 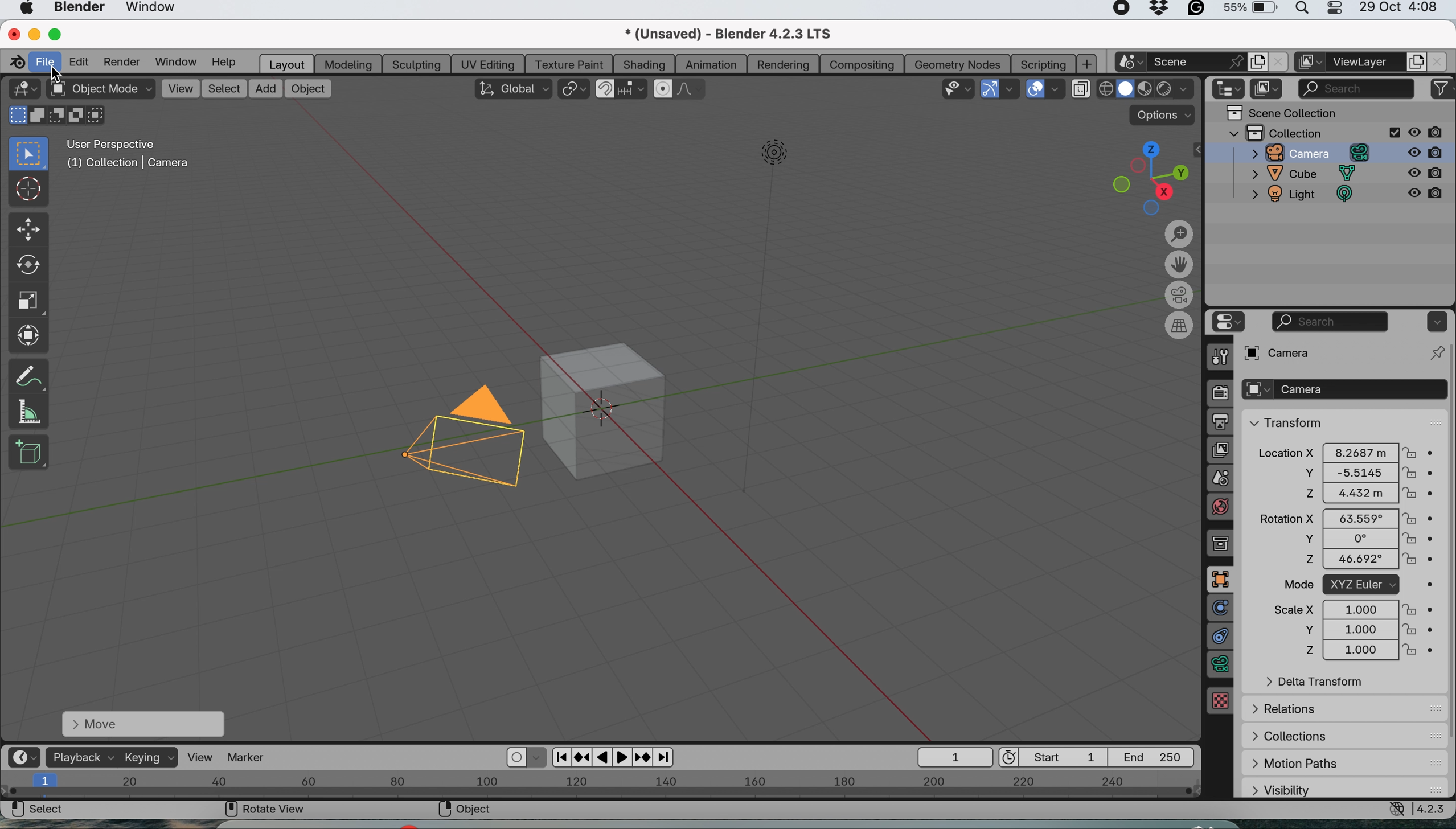 What do you see at coordinates (1257, 62) in the screenshot?
I see `add new scene` at bounding box center [1257, 62].